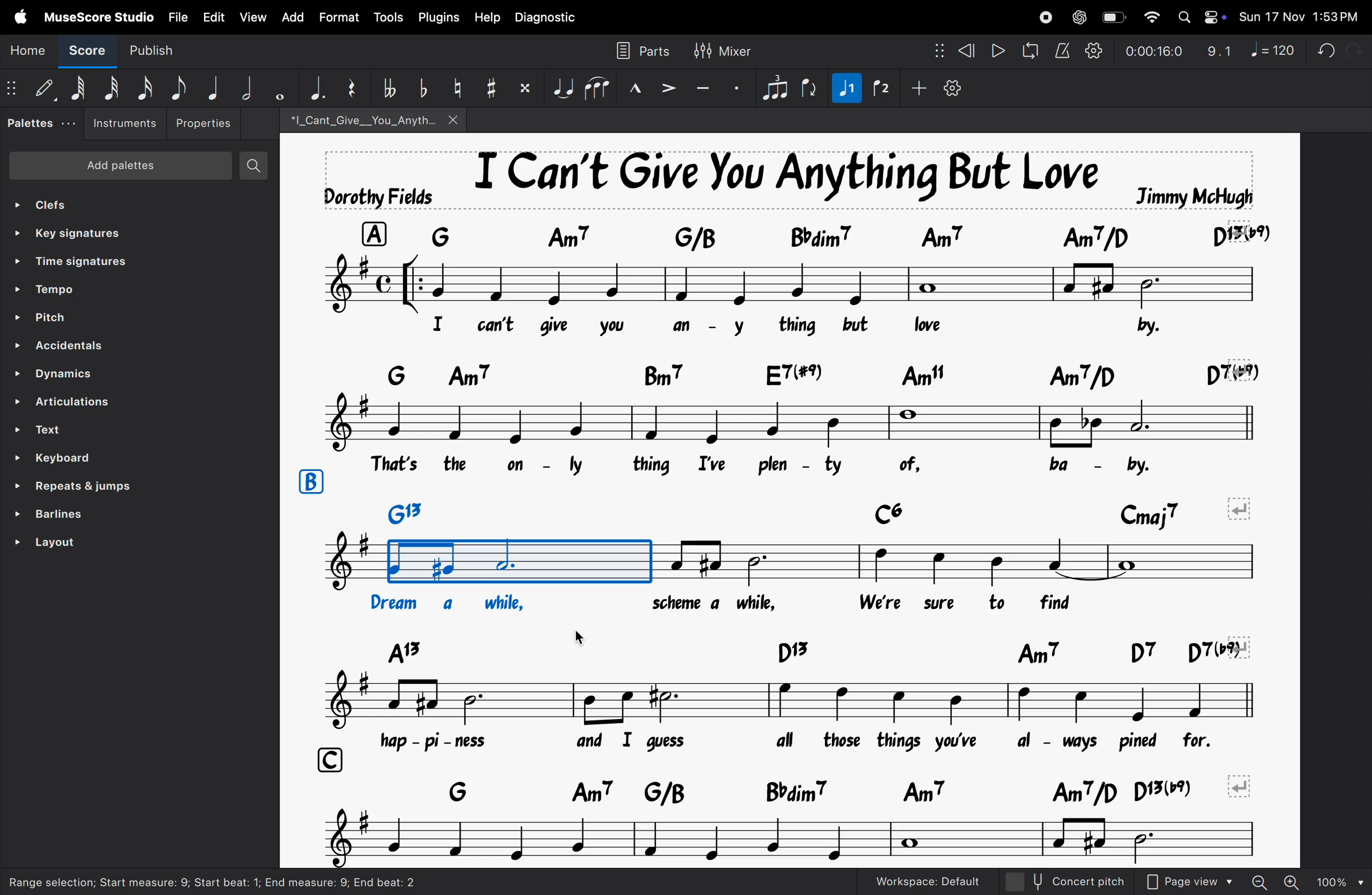 Image resolution: width=1372 pixels, height=895 pixels. I want to click on wifi, so click(1149, 17).